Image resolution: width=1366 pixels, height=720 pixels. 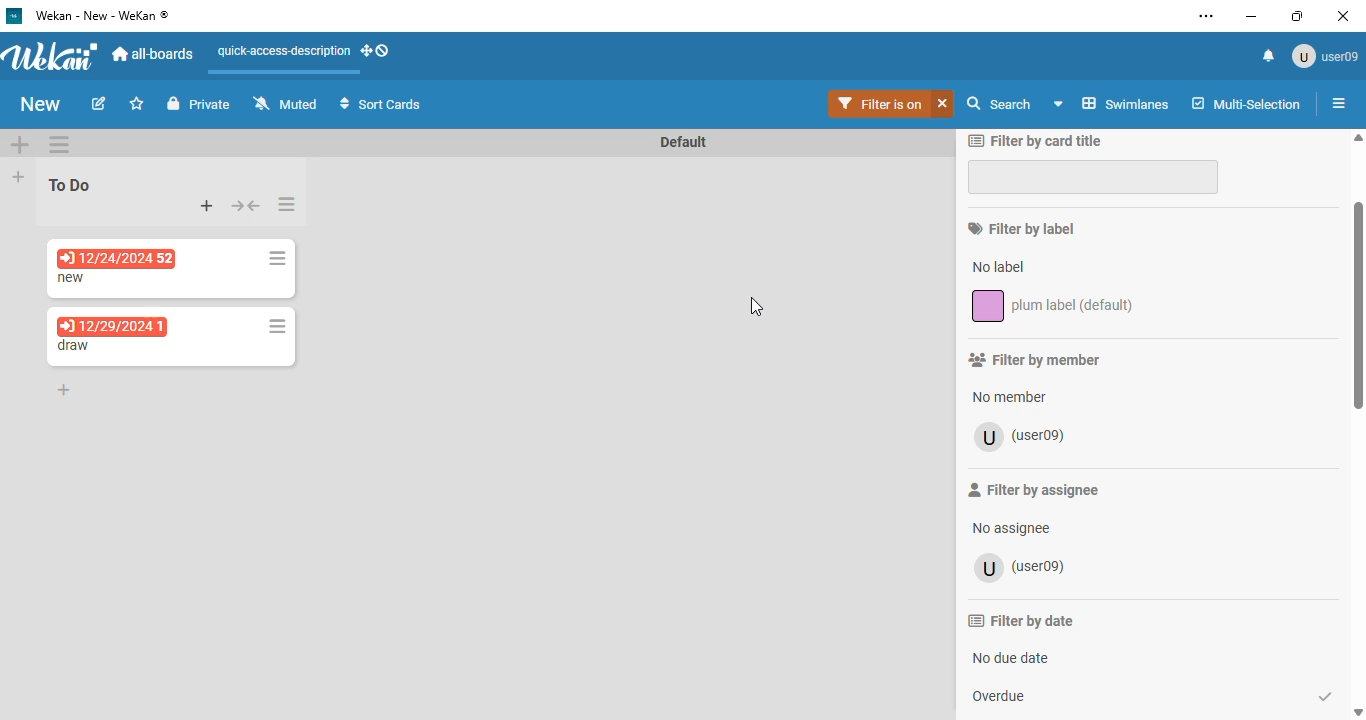 I want to click on edit, so click(x=100, y=103).